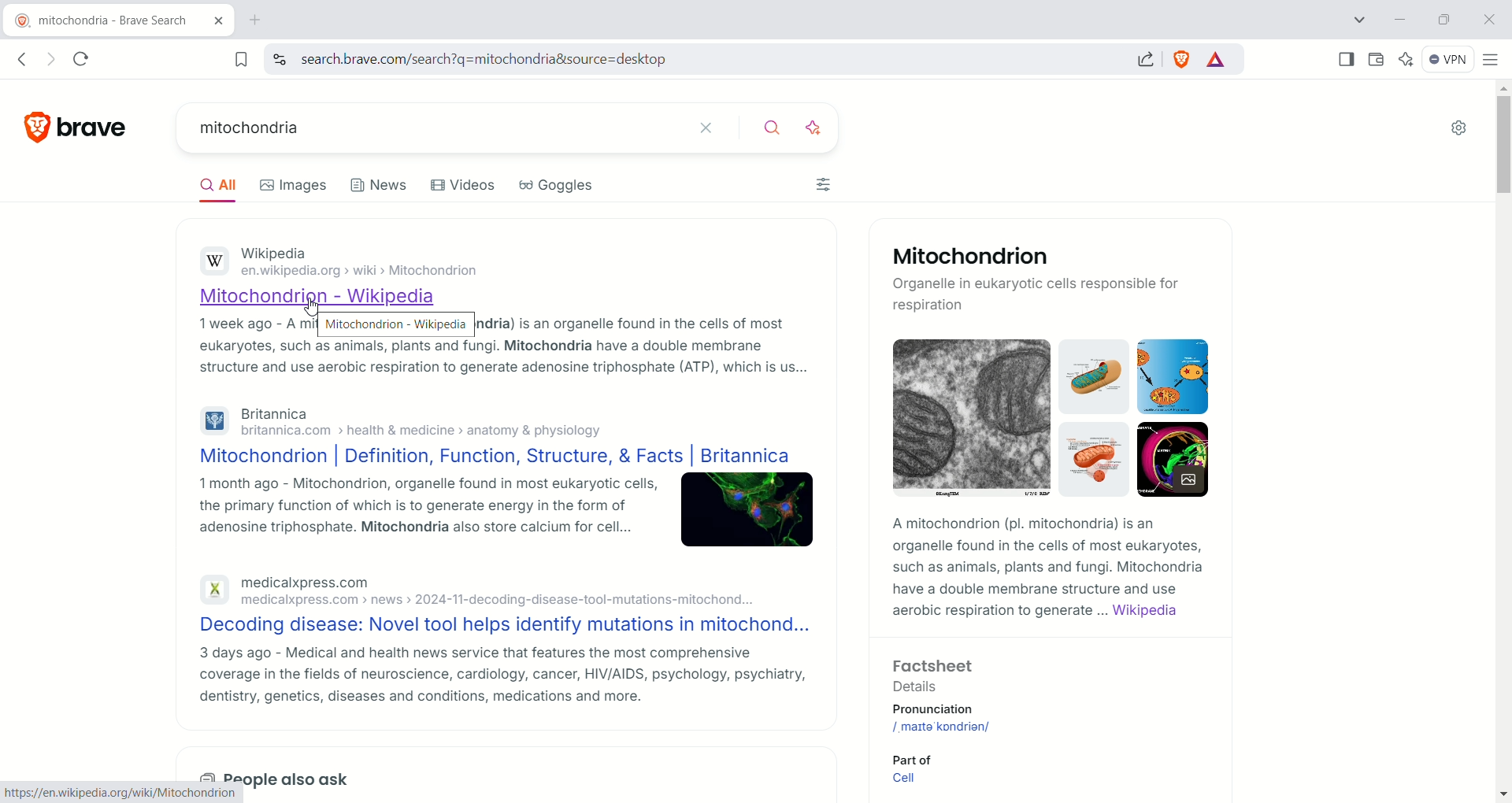 The image size is (1512, 803). Describe the element at coordinates (502, 675) in the screenshot. I see `3 days ago - Medical and health news service that features the most comprehensive
coverage in the fields of neuroscience, cardiology, cancer, HIV/AIDS, psychology, psychiatry,
dentistry, genetics, diseases and conditions, medications and more.` at that location.